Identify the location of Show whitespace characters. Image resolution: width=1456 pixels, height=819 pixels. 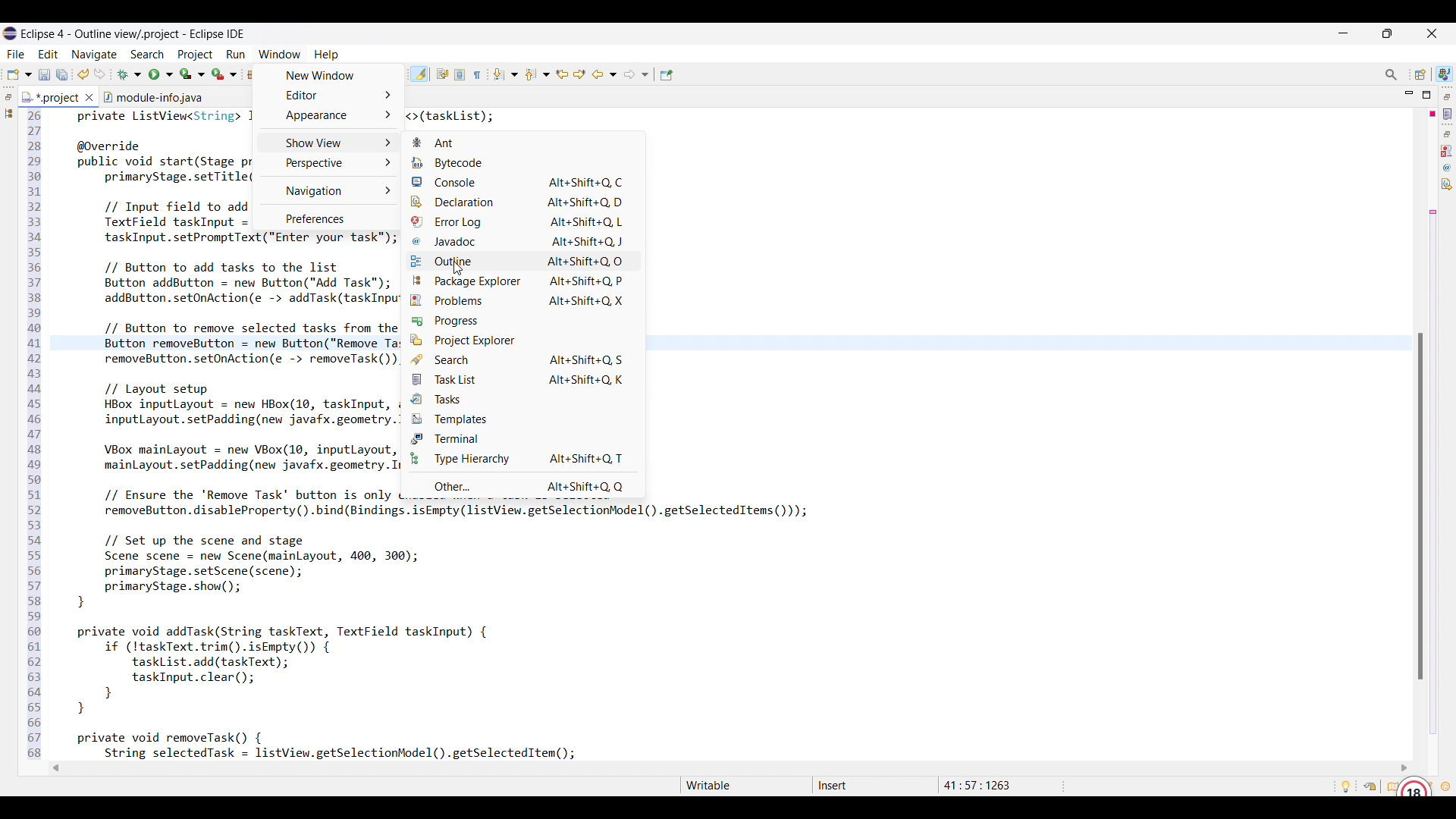
(477, 75).